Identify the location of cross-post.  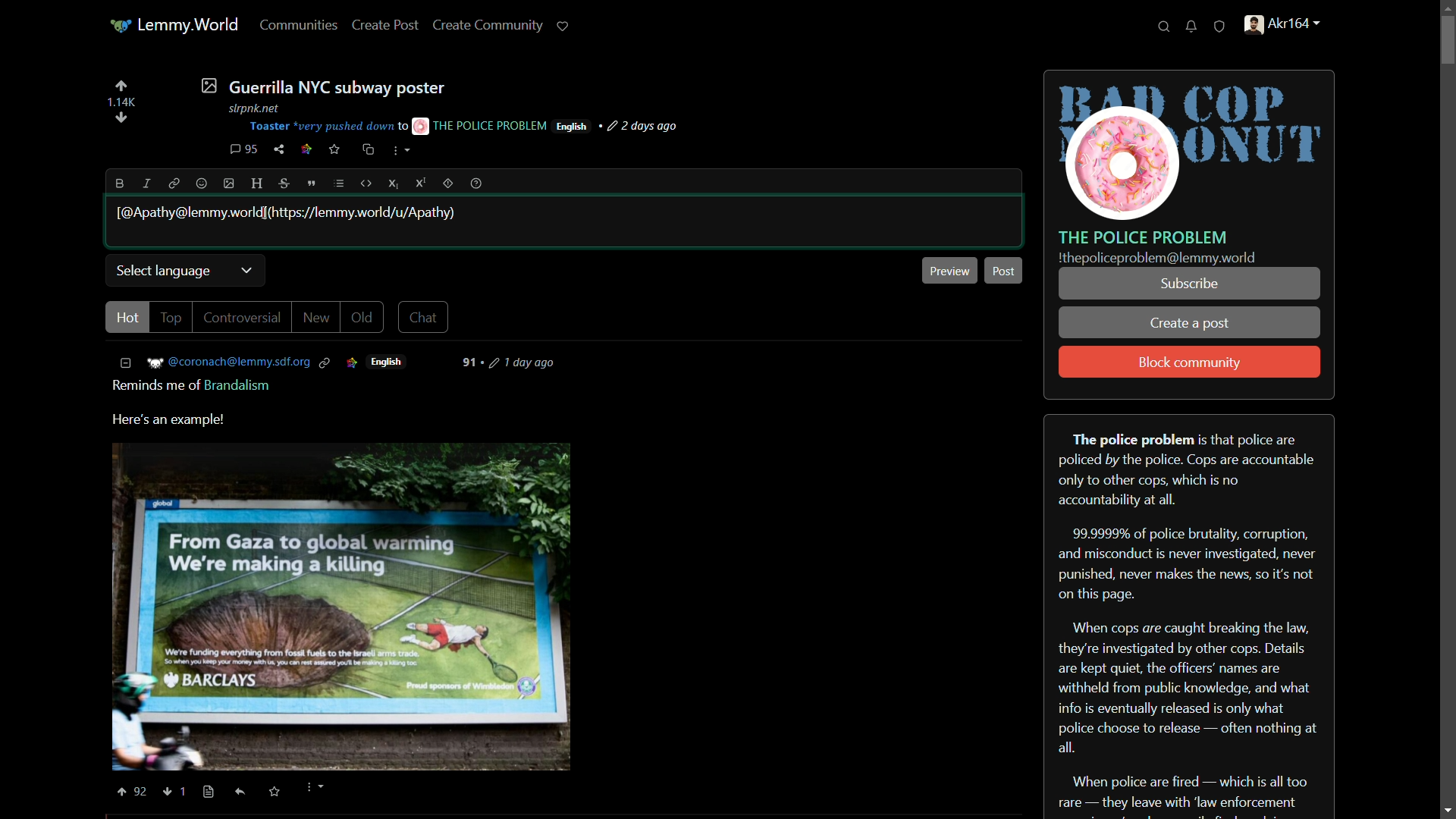
(367, 149).